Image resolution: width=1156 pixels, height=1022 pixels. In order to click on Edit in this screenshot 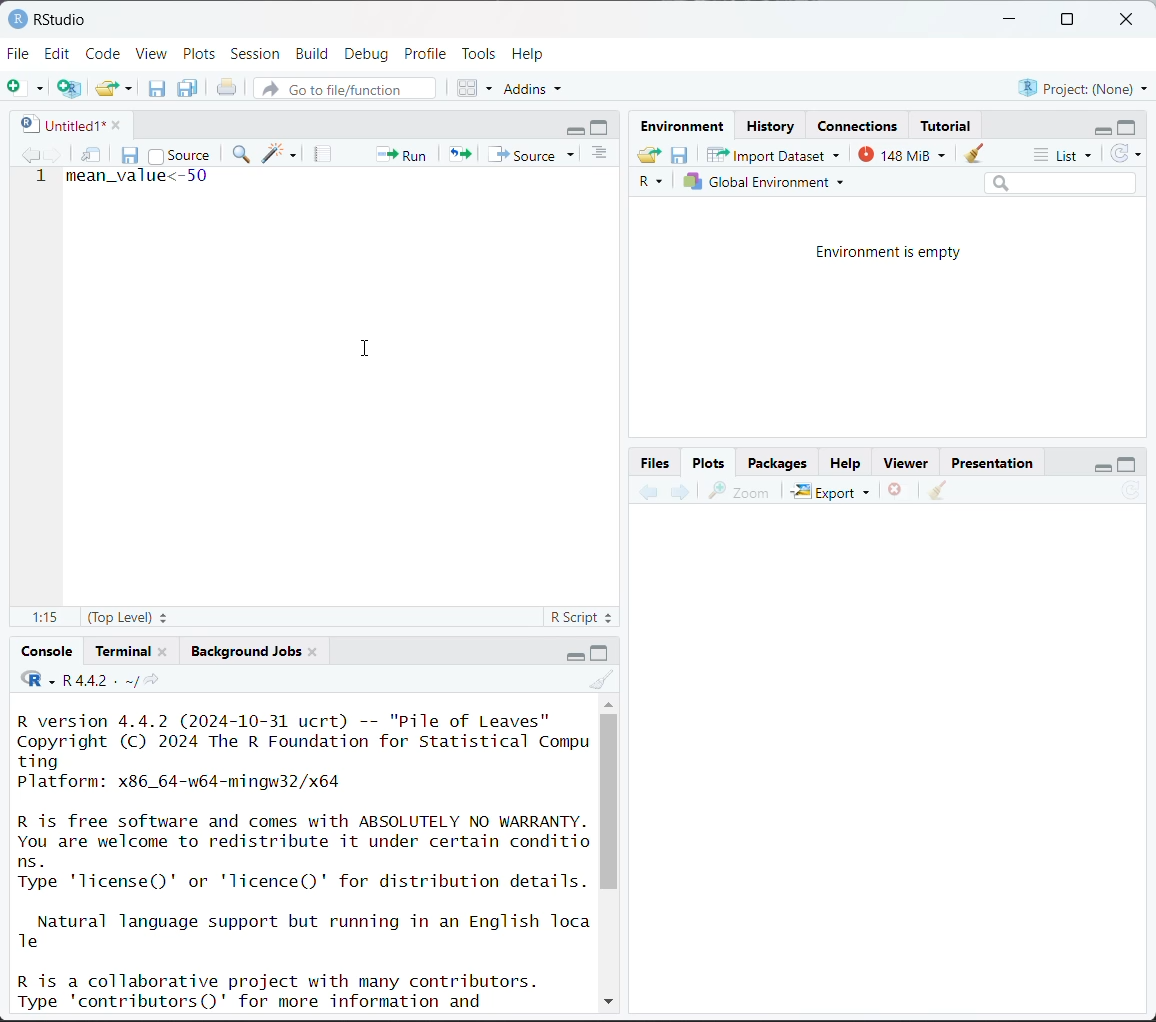, I will do `click(60, 53)`.